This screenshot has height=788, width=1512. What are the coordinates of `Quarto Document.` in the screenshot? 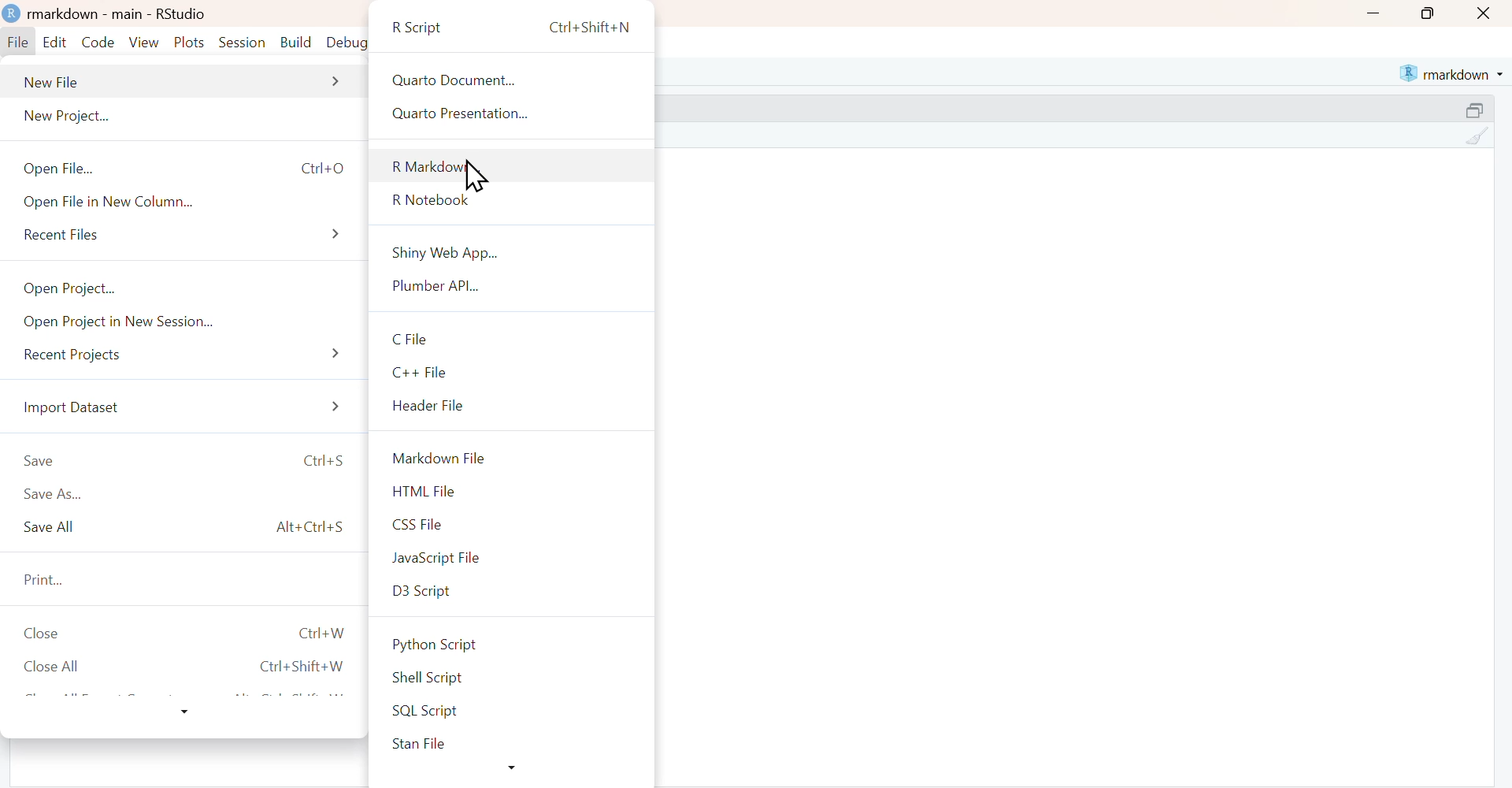 It's located at (517, 78).